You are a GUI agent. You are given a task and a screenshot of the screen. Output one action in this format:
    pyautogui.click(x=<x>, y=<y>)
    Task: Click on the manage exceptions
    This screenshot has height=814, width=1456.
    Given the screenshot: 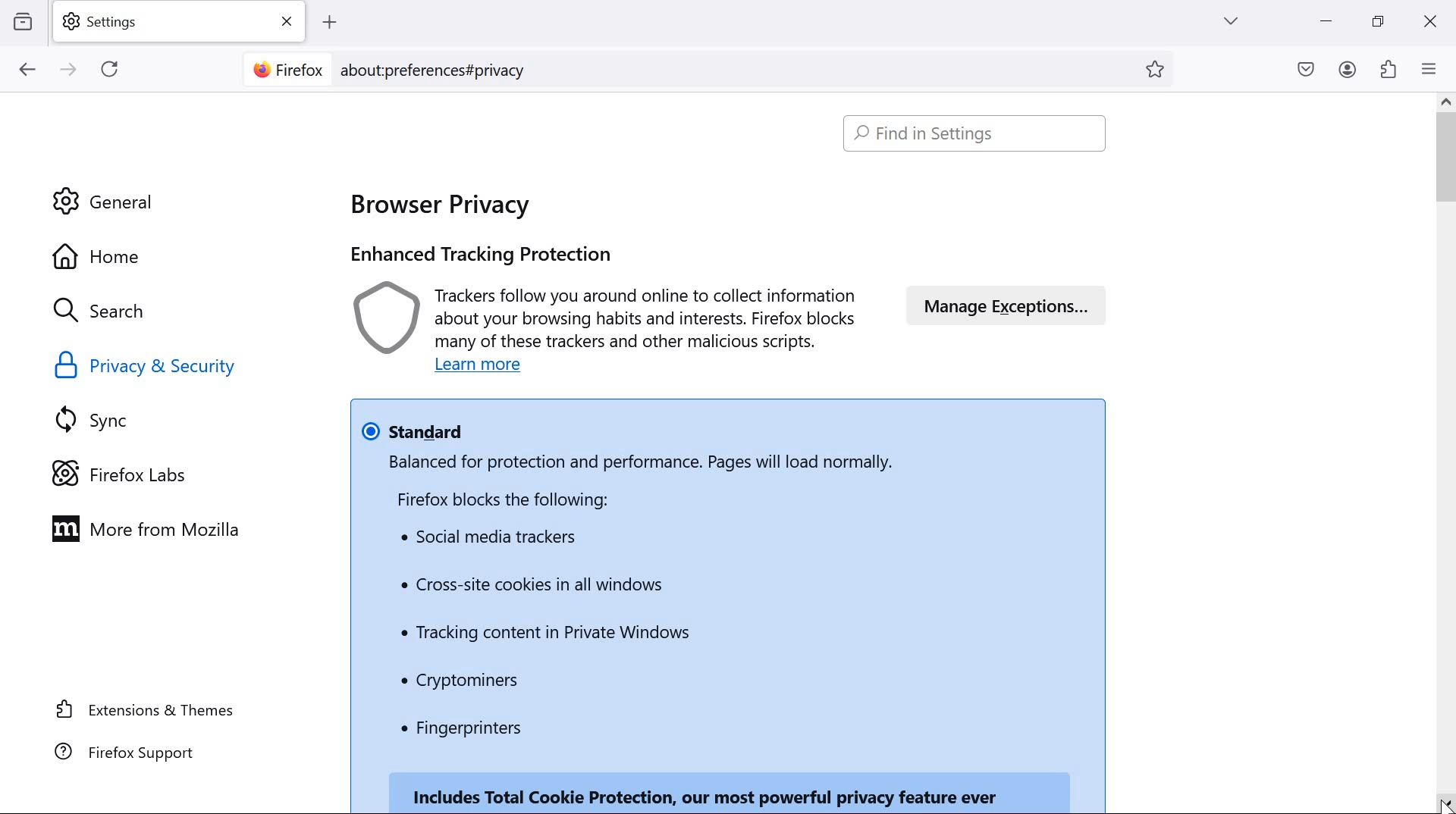 What is the action you would take?
    pyautogui.click(x=1006, y=305)
    